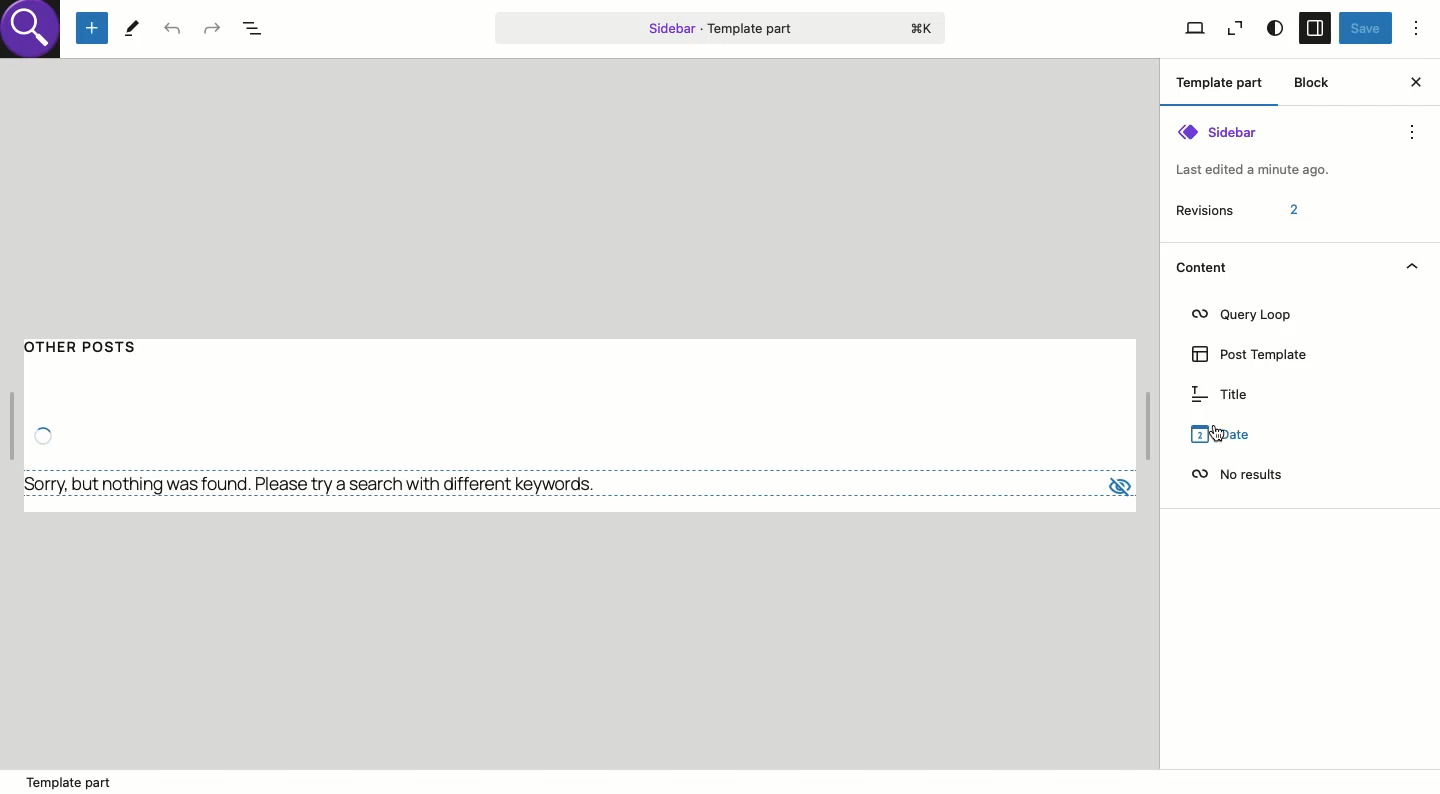  Describe the element at coordinates (1219, 433) in the screenshot. I see `cursor` at that location.